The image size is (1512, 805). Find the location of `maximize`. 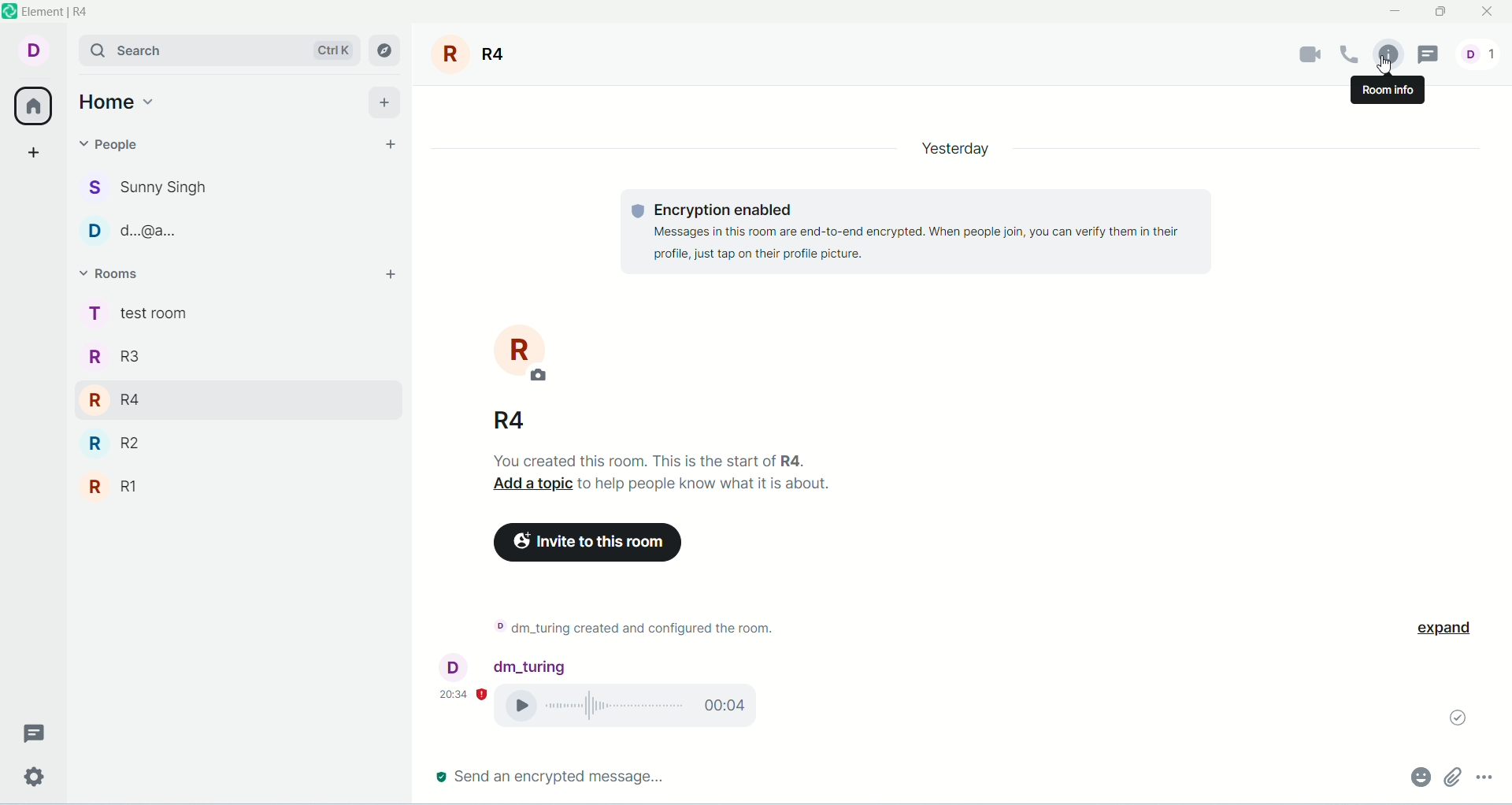

maximize is located at coordinates (1439, 14).